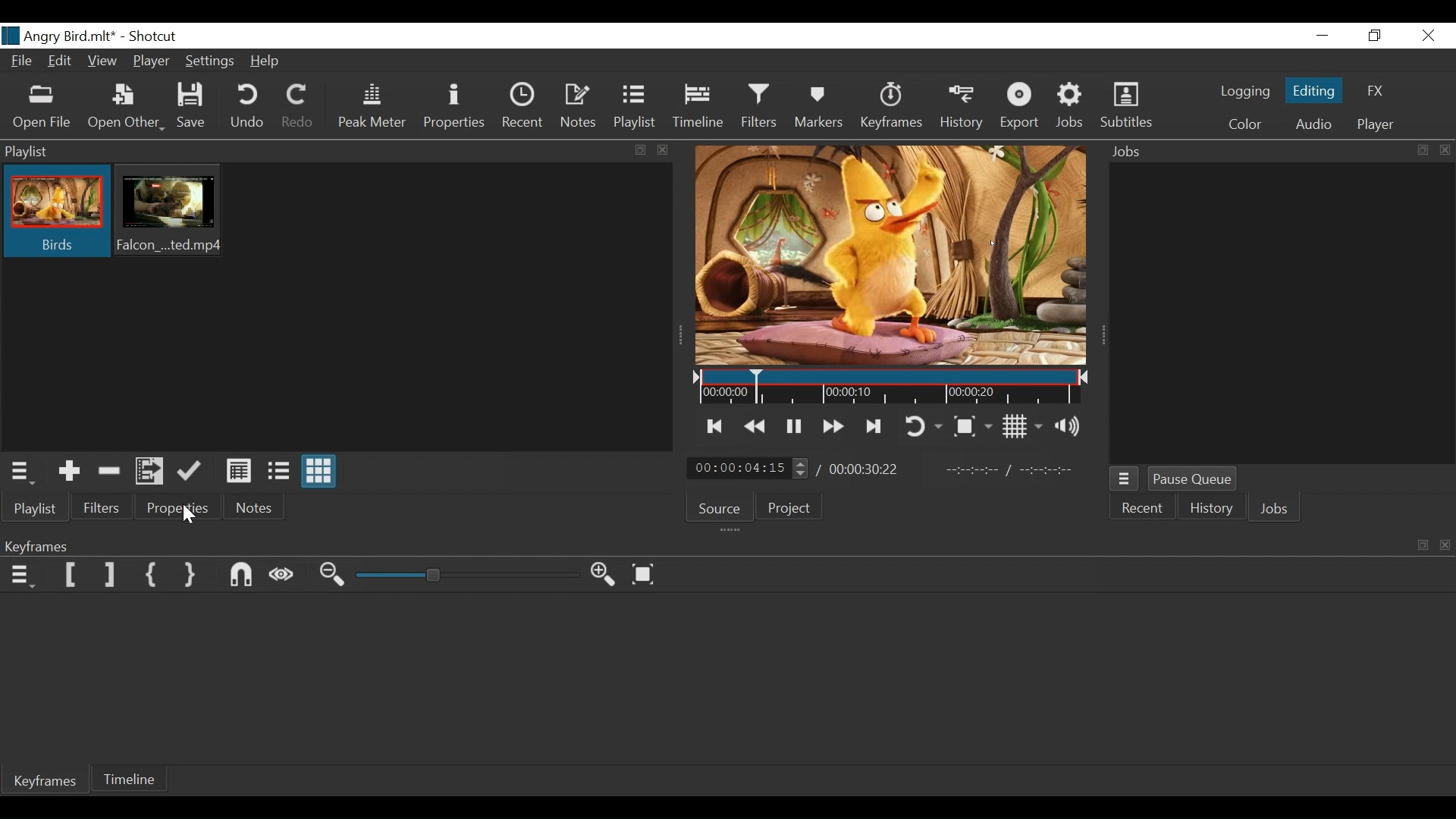 This screenshot has height=819, width=1456. Describe the element at coordinates (1213, 509) in the screenshot. I see `History` at that location.